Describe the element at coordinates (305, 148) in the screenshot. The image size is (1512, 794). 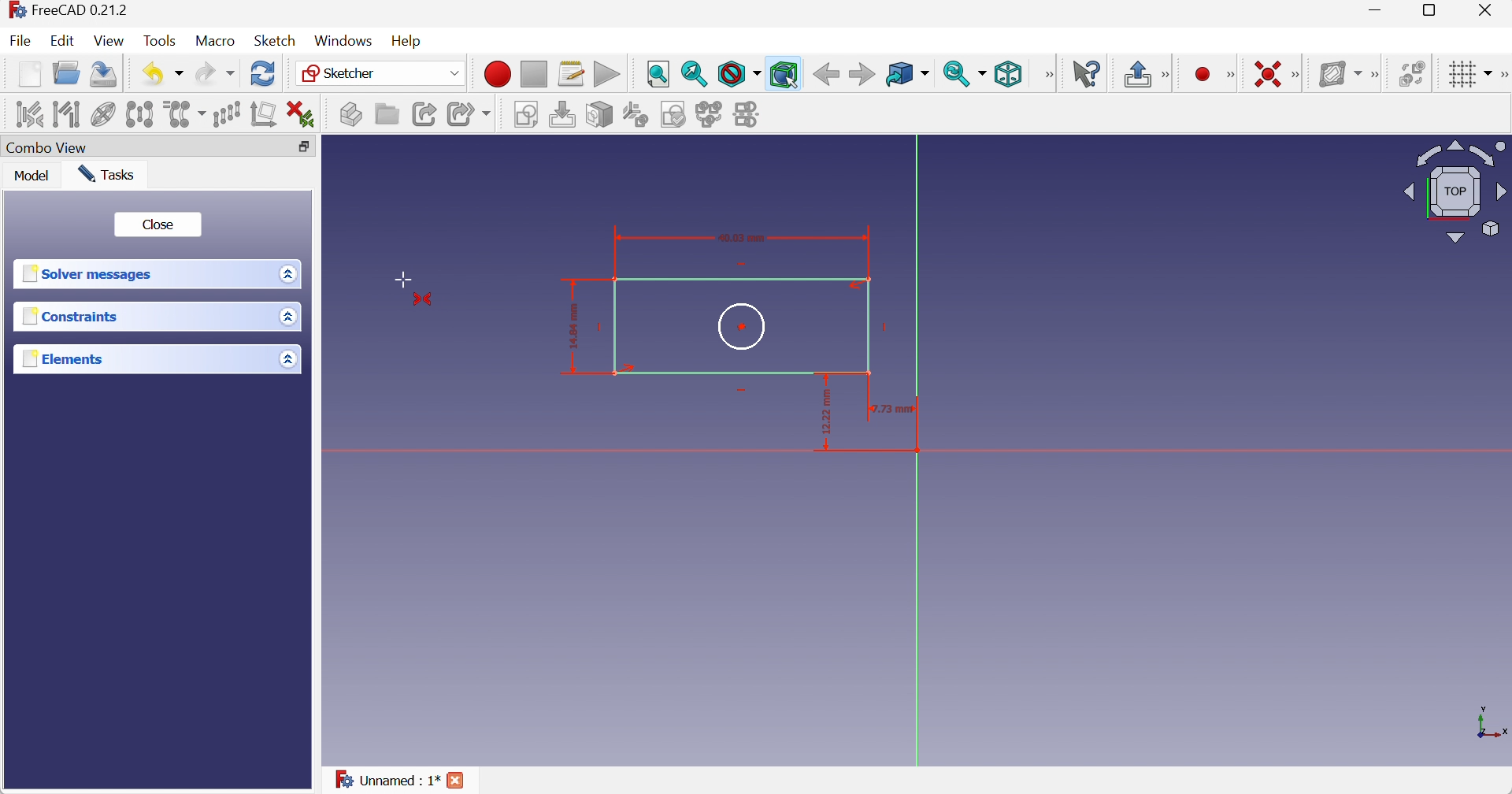
I see `Restore down` at that location.